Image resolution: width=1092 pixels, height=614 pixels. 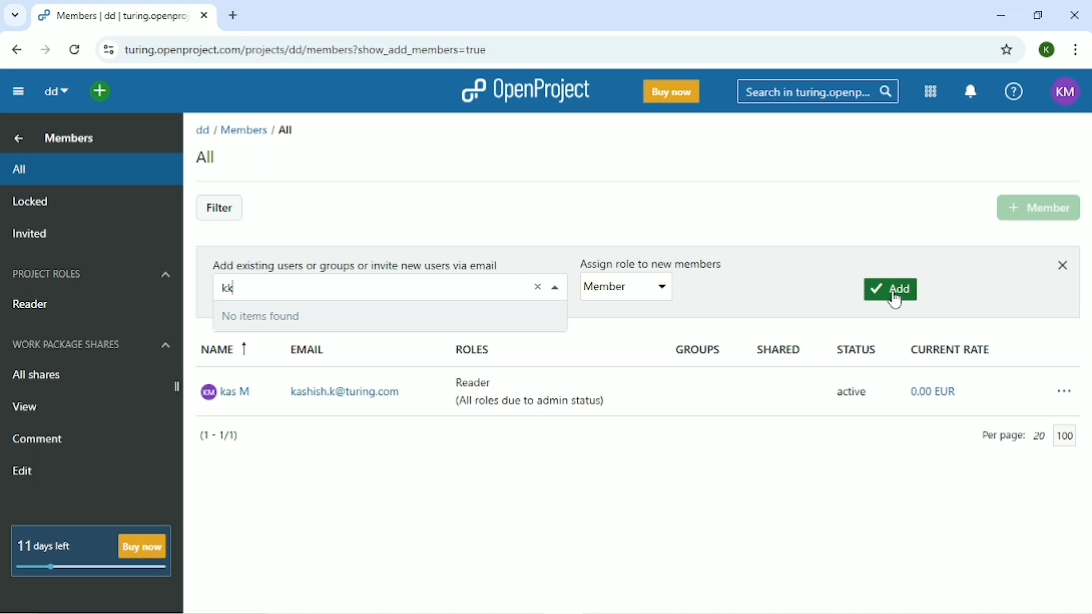 What do you see at coordinates (952, 348) in the screenshot?
I see `Current rate` at bounding box center [952, 348].